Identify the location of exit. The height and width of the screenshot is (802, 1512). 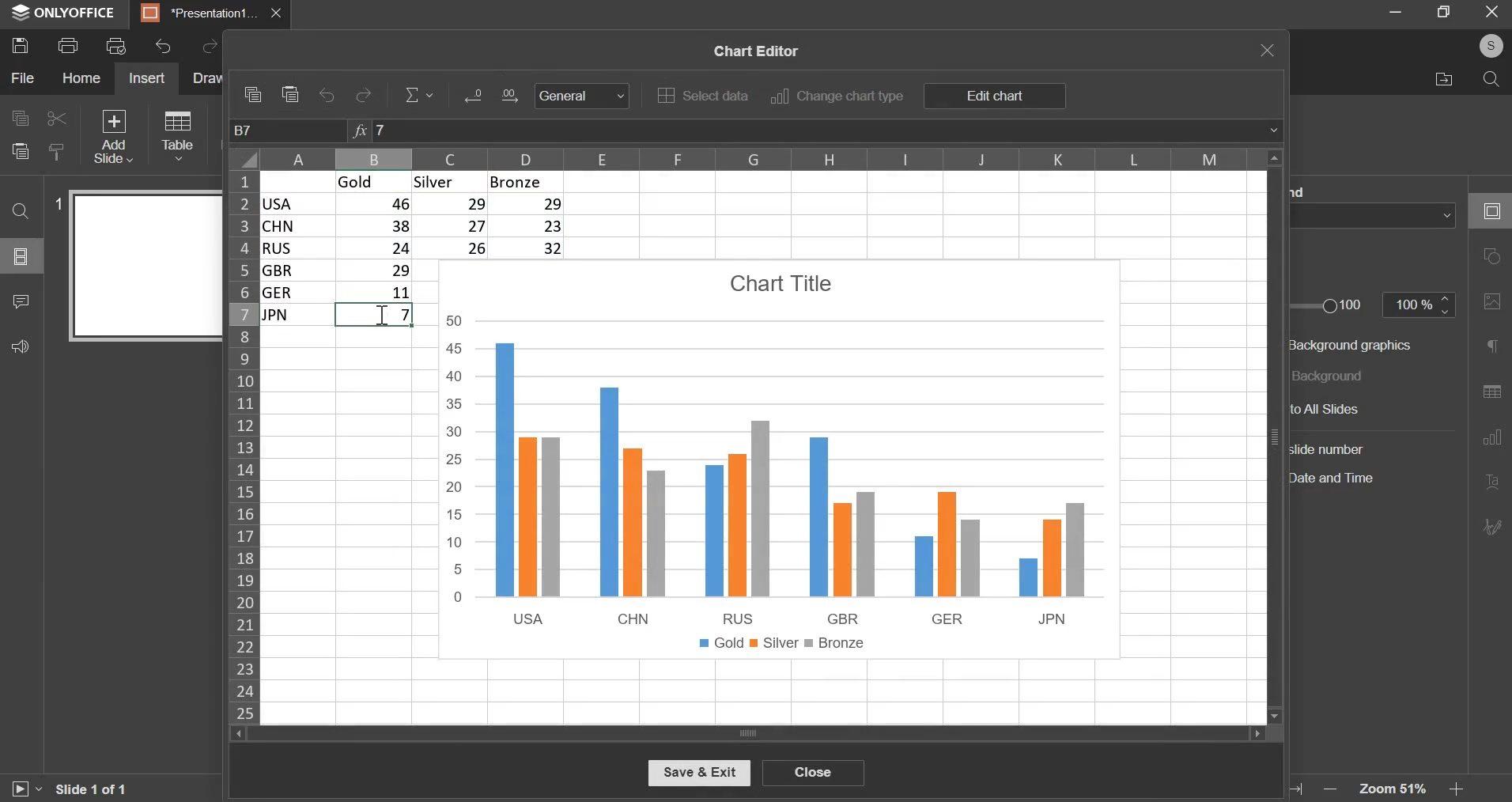
(1268, 50).